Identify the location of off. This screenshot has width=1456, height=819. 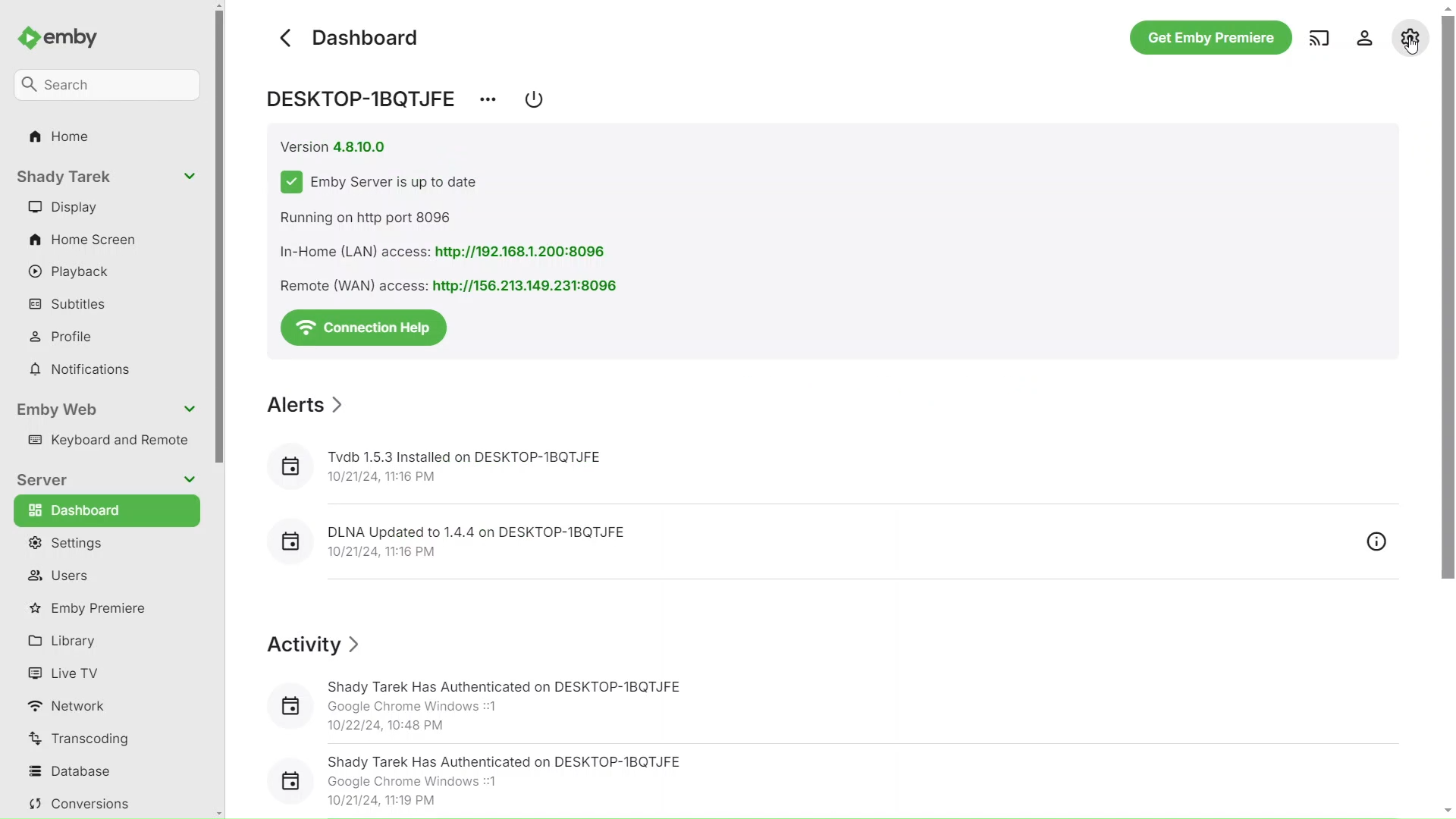
(535, 101).